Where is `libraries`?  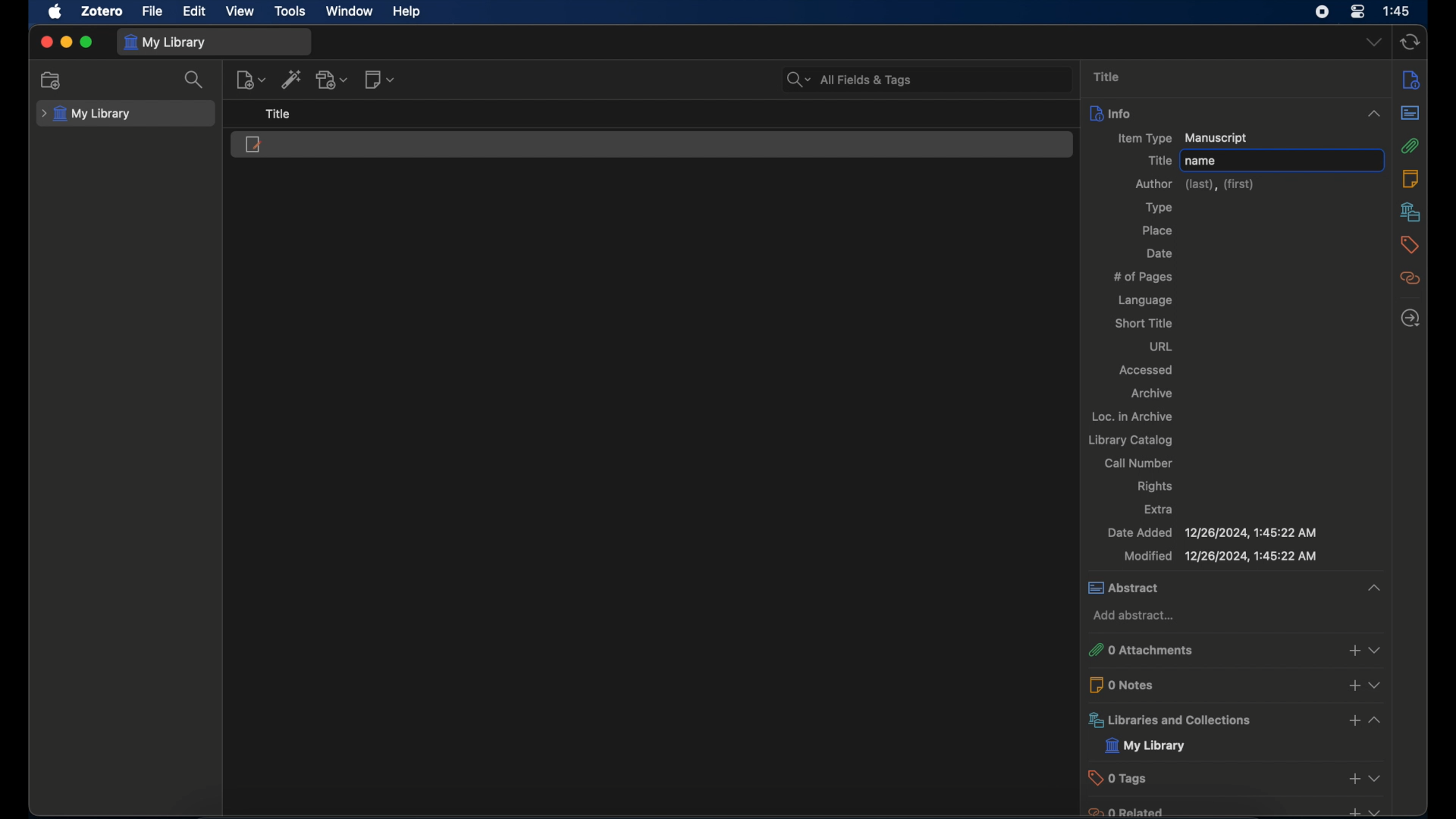 libraries is located at coordinates (1410, 212).